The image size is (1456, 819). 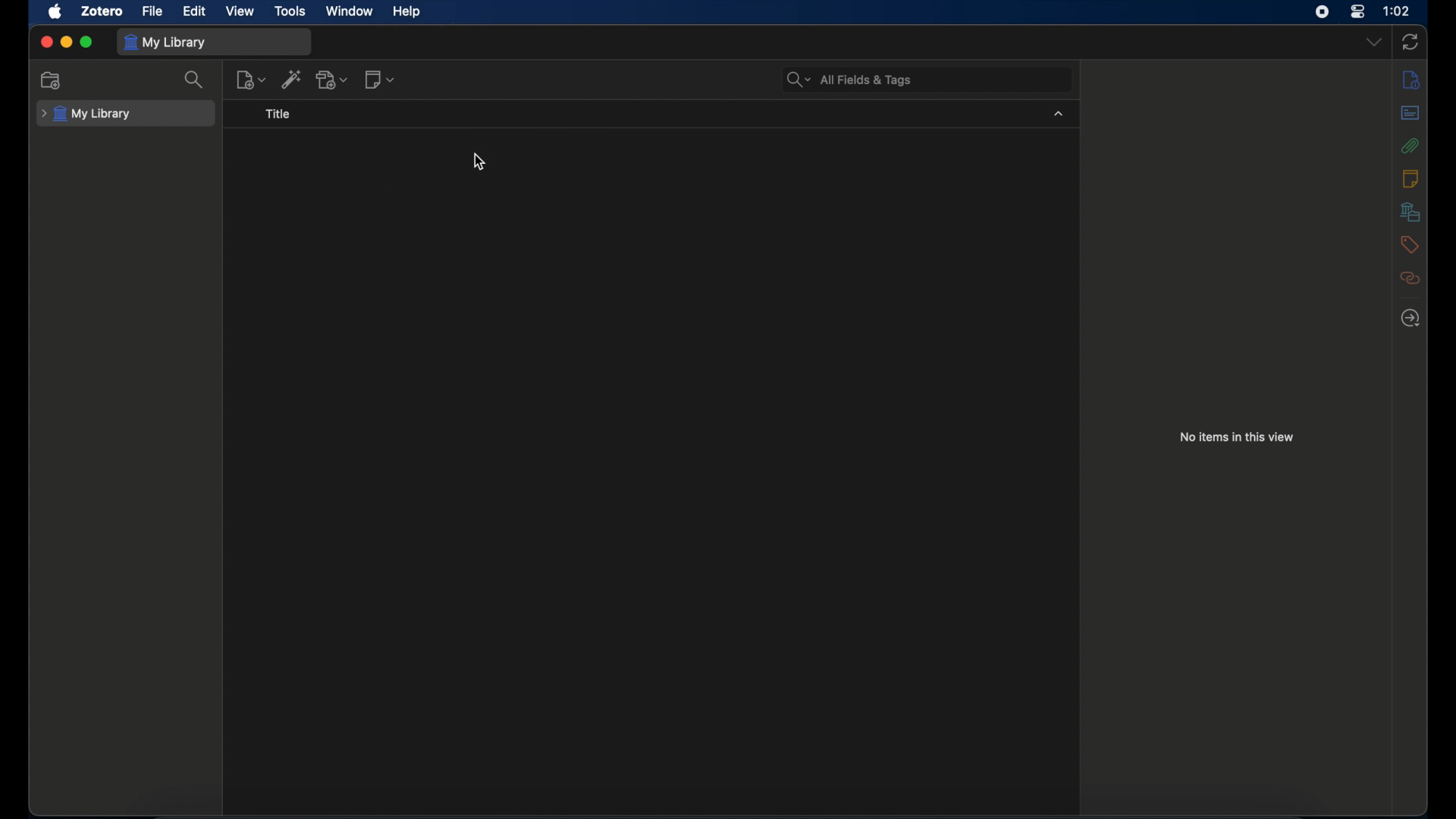 What do you see at coordinates (86, 42) in the screenshot?
I see `maximize` at bounding box center [86, 42].